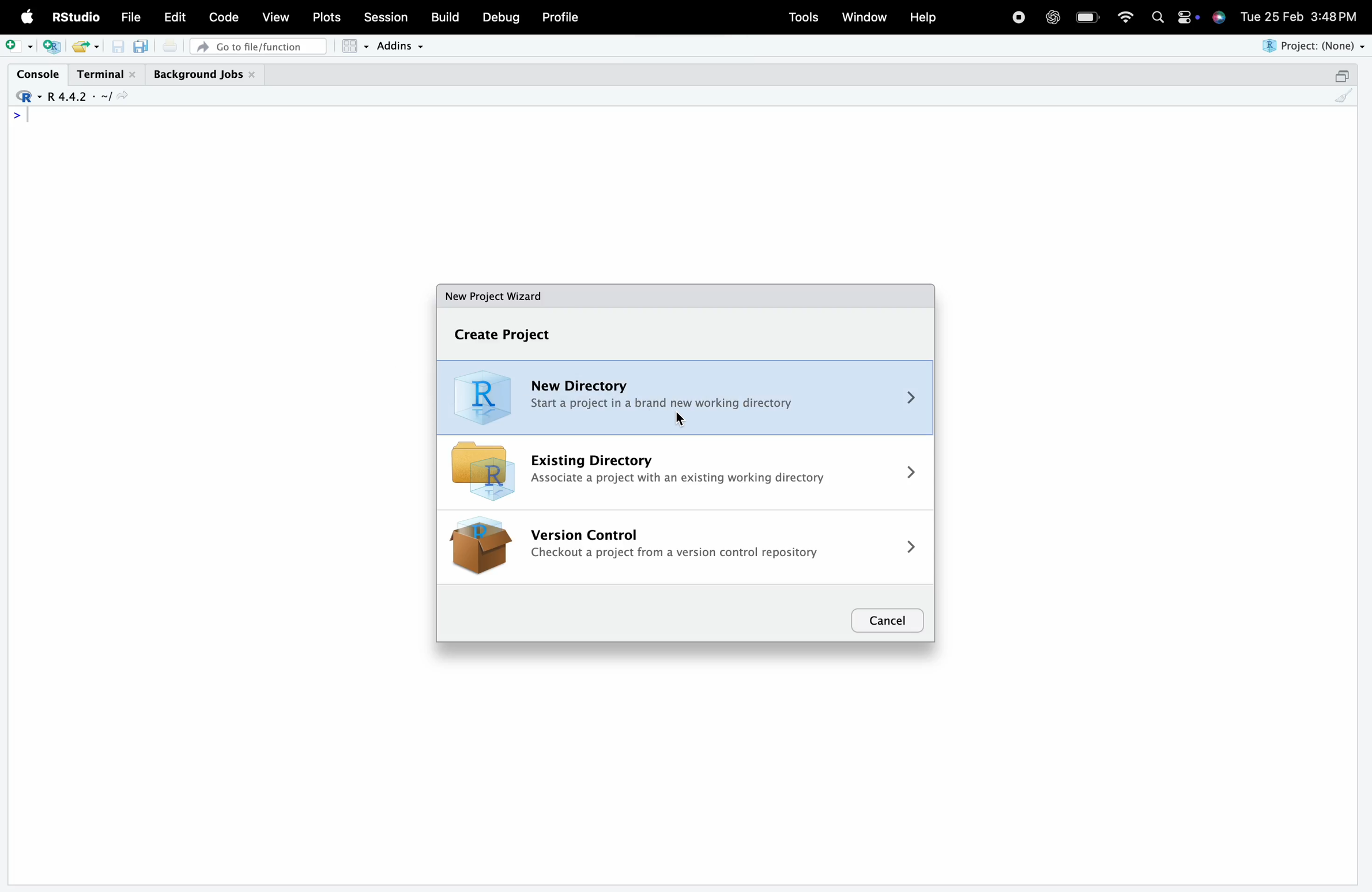 The height and width of the screenshot is (892, 1372). What do you see at coordinates (496, 296) in the screenshot?
I see `New Project Wizard` at bounding box center [496, 296].